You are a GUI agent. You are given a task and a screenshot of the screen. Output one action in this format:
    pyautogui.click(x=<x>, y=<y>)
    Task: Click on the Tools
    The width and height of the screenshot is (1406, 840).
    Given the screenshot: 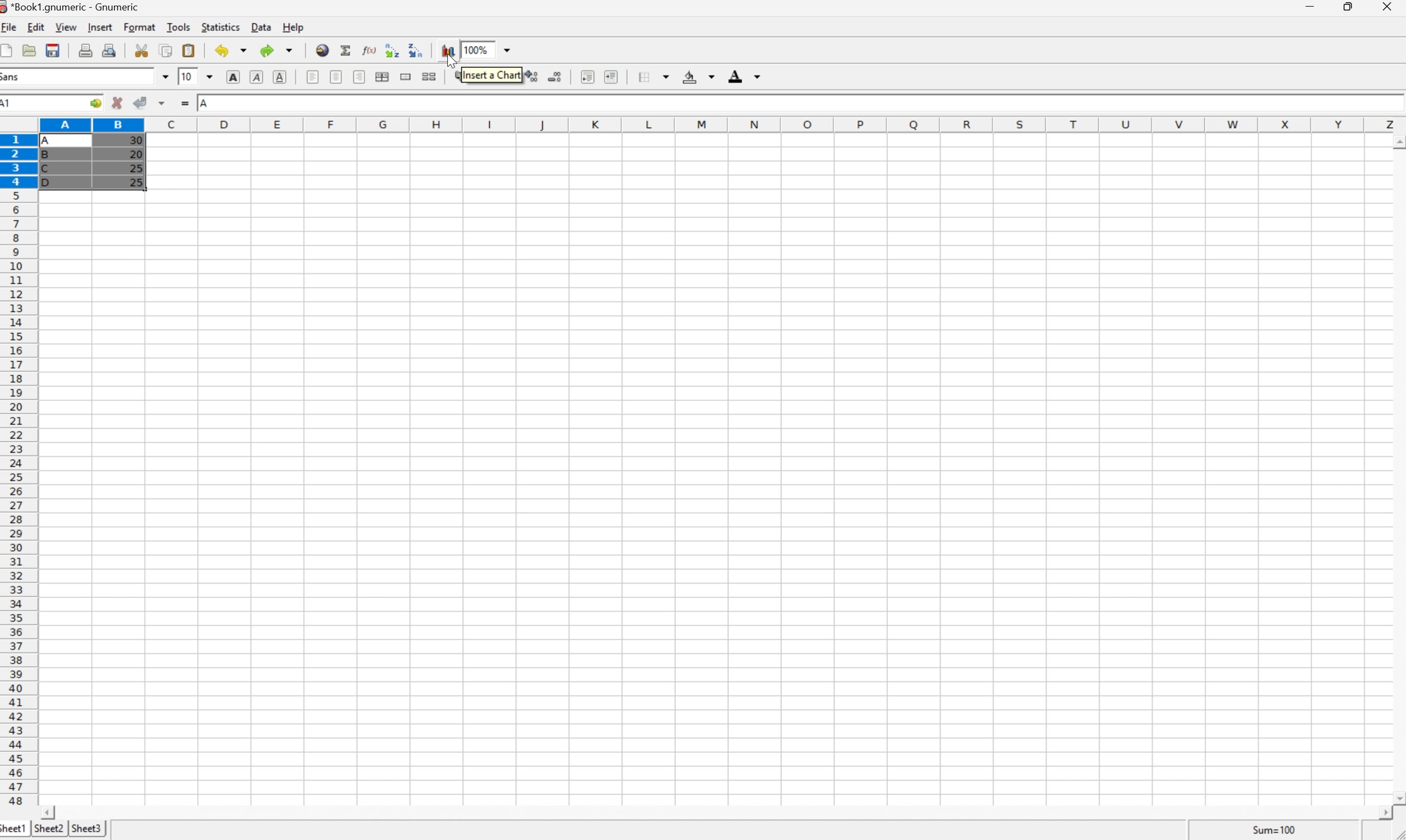 What is the action you would take?
    pyautogui.click(x=178, y=27)
    